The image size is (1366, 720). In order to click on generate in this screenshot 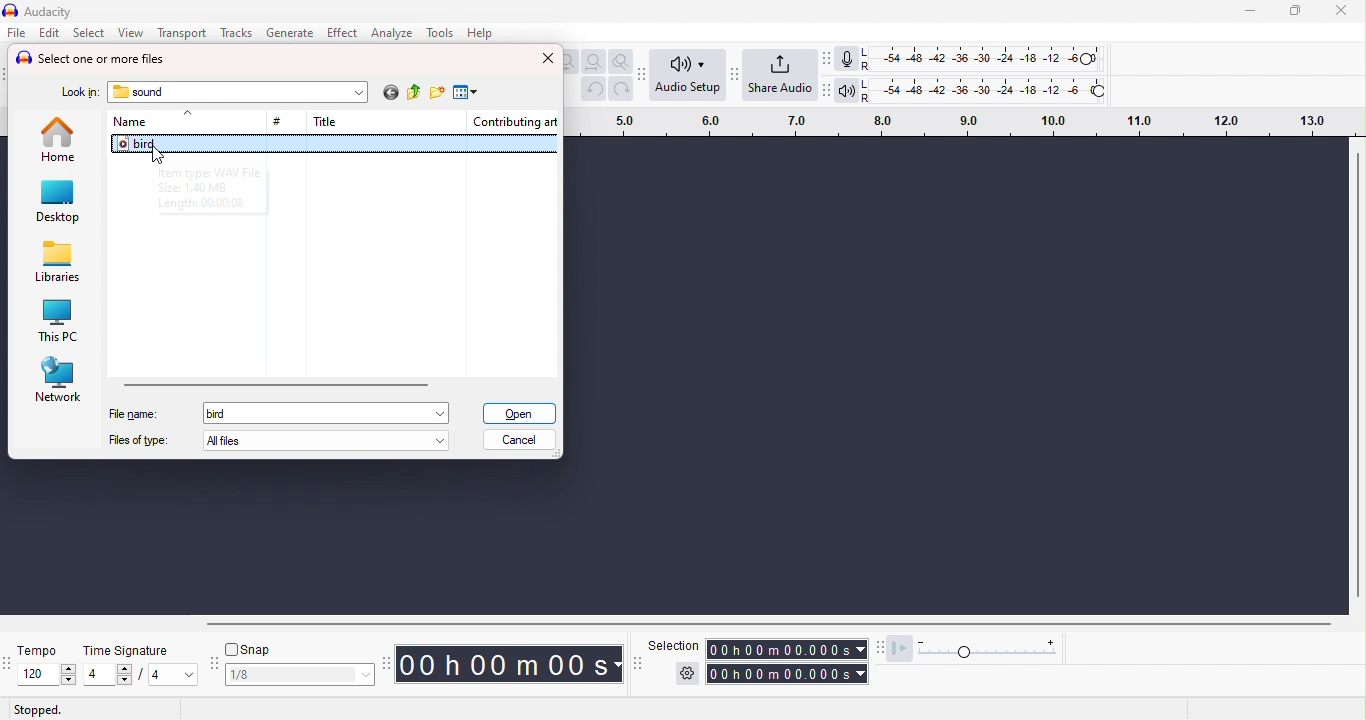, I will do `click(292, 32)`.